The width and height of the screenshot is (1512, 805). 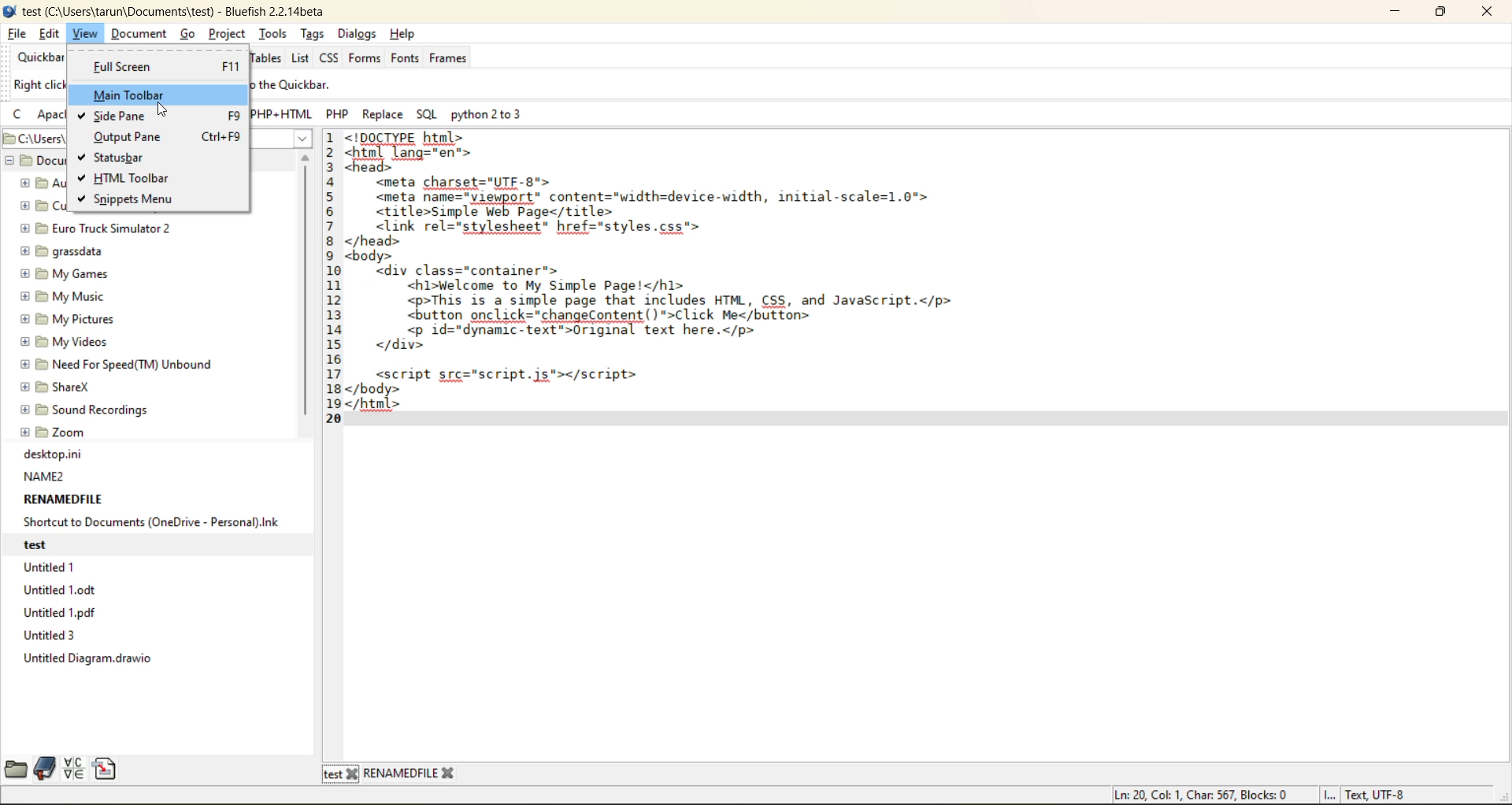 I want to click on document, so click(x=141, y=34).